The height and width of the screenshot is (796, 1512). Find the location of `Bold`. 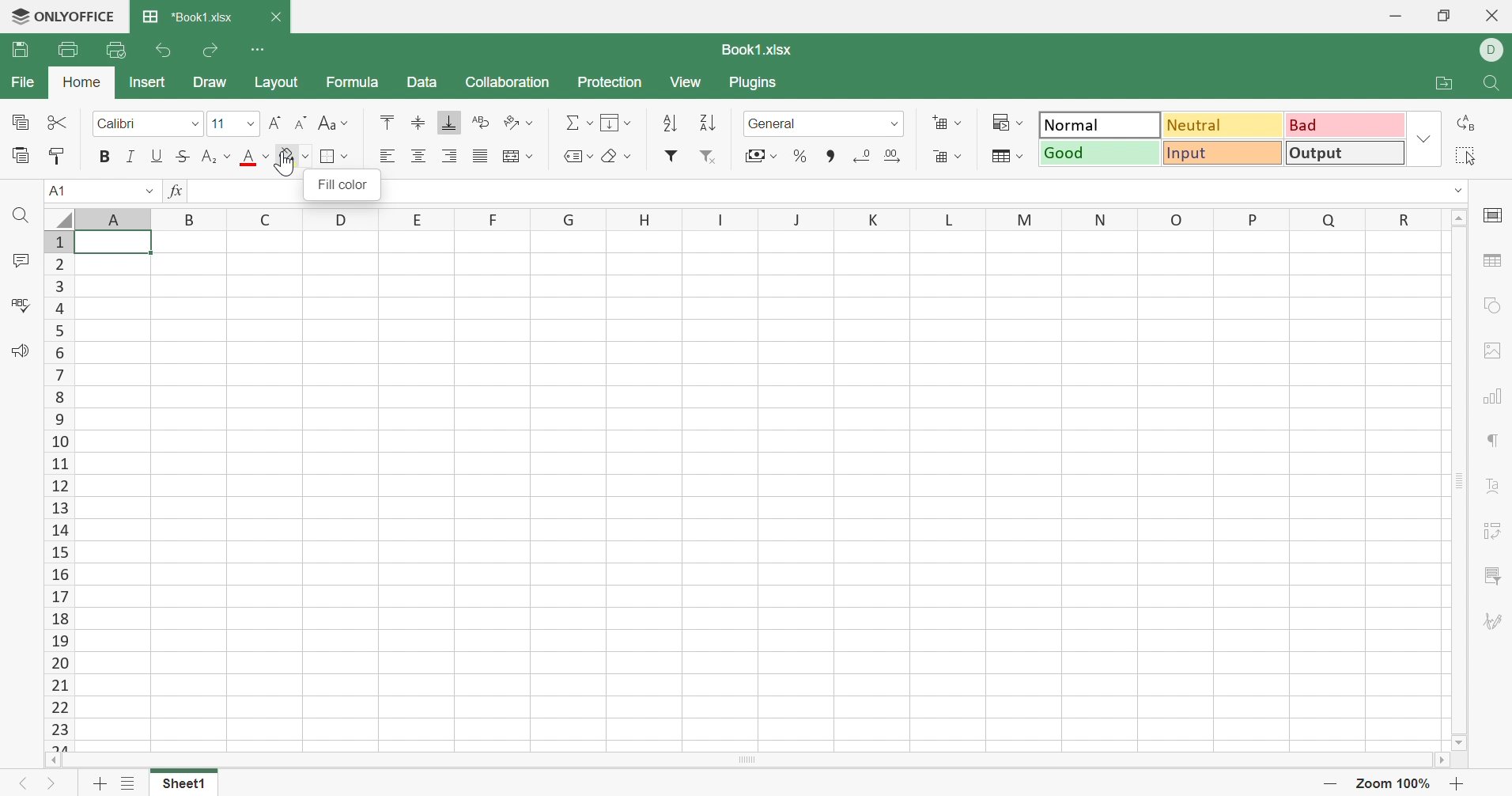

Bold is located at coordinates (103, 154).